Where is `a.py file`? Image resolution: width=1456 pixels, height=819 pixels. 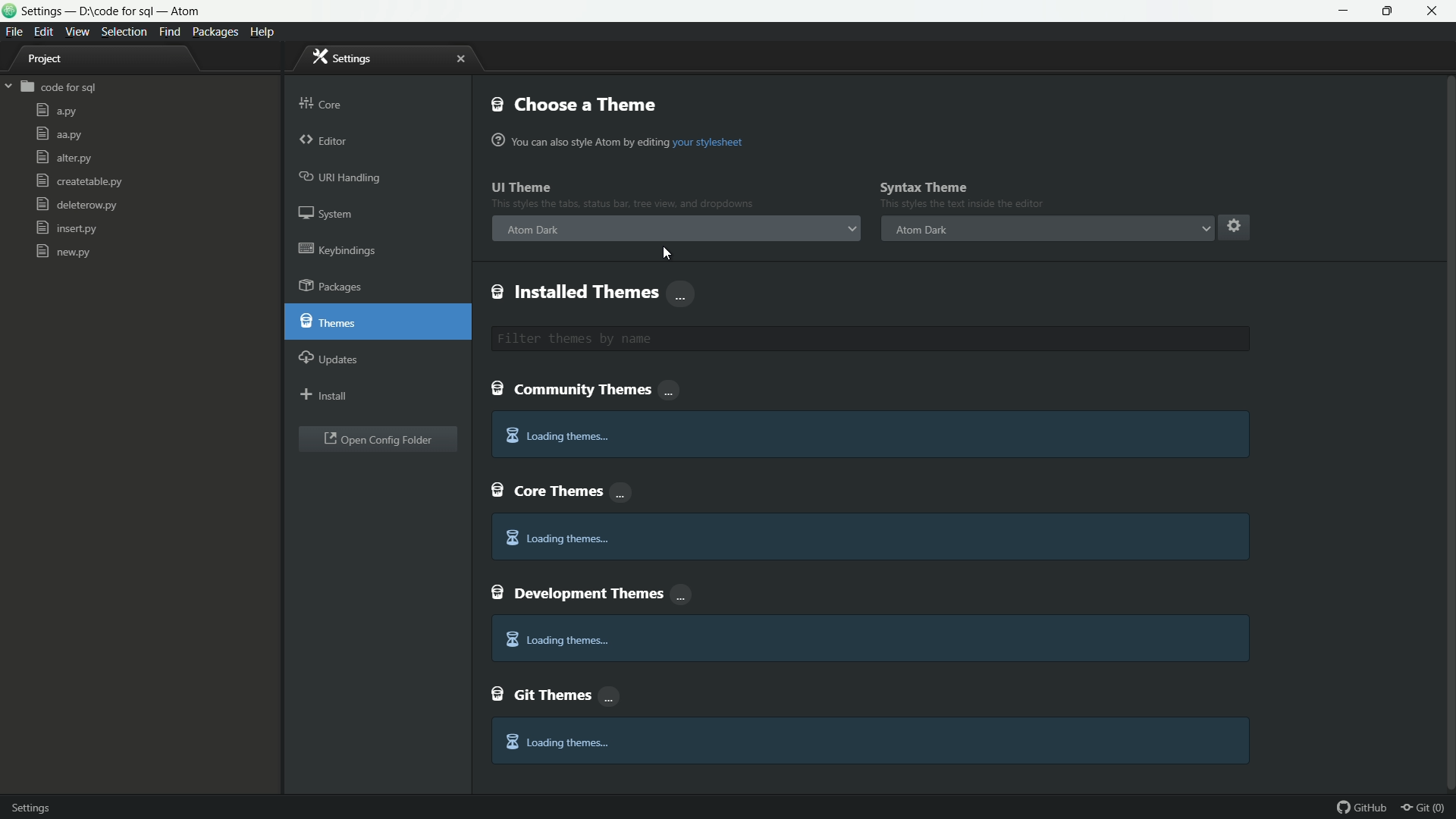 a.py file is located at coordinates (57, 110).